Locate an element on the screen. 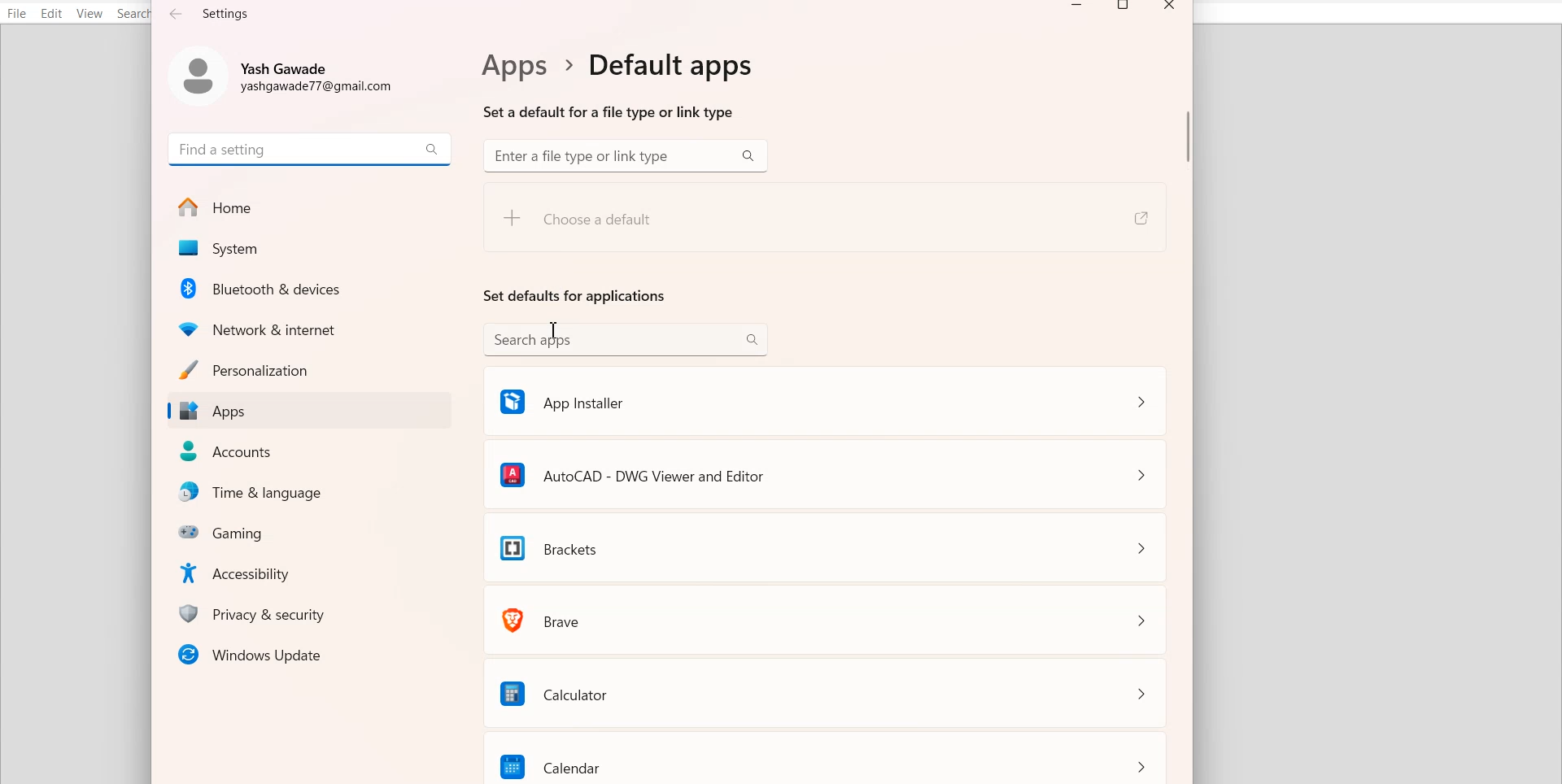 The width and height of the screenshot is (1562, 784). Vertical scroll bar is located at coordinates (1187, 403).